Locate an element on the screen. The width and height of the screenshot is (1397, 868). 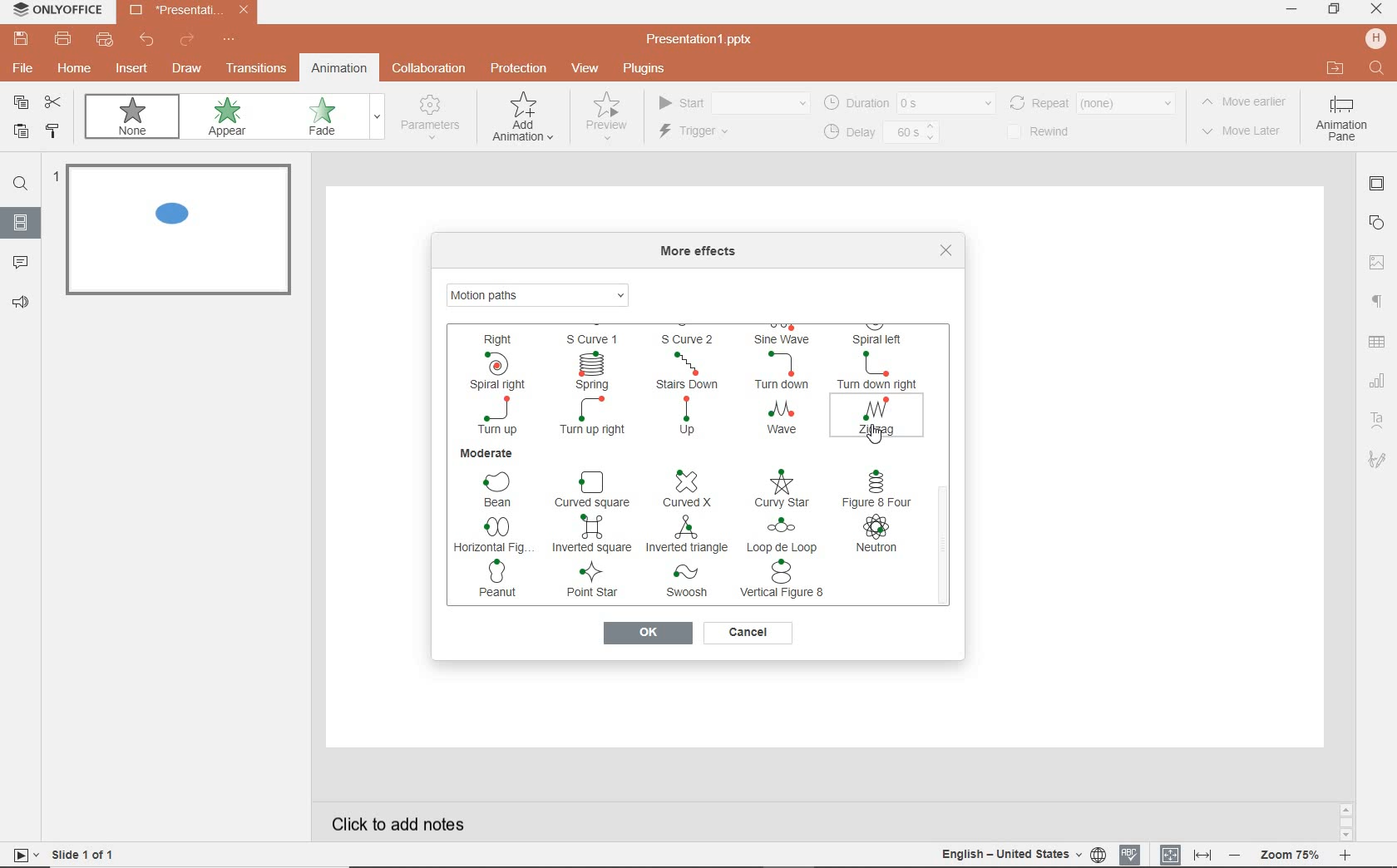
bean is located at coordinates (499, 489).